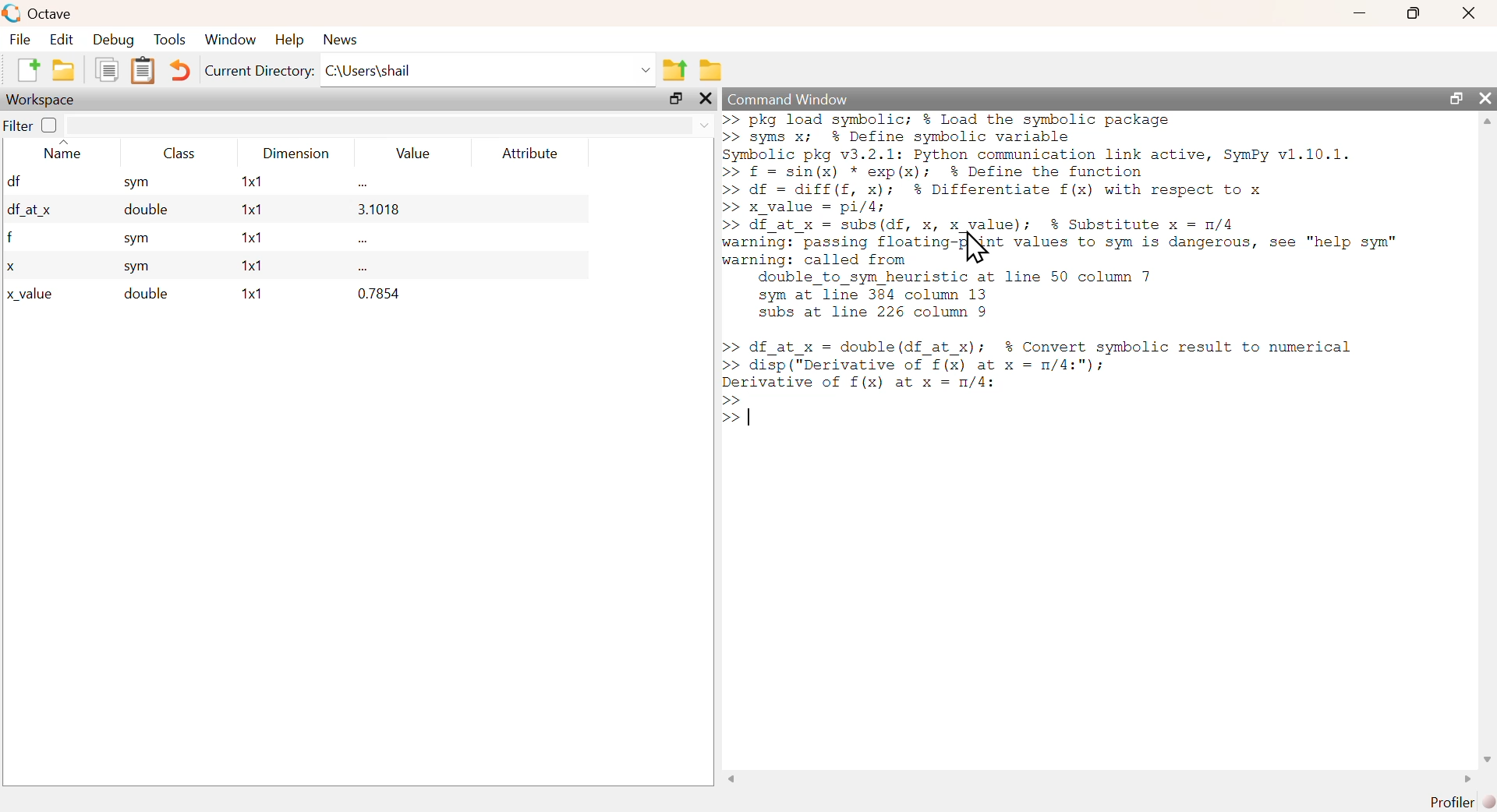 This screenshot has height=812, width=1497. Describe the element at coordinates (379, 293) in the screenshot. I see `0.7854` at that location.